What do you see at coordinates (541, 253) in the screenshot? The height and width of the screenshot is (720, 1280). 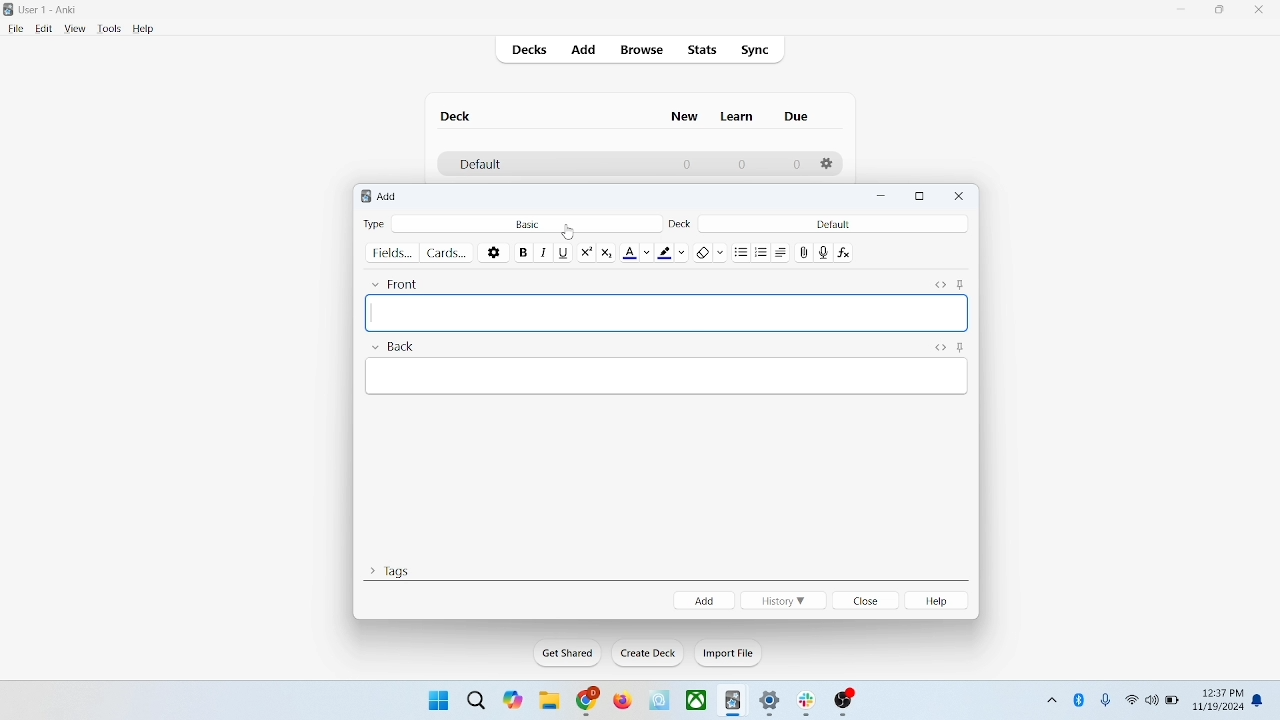 I see `italics` at bounding box center [541, 253].